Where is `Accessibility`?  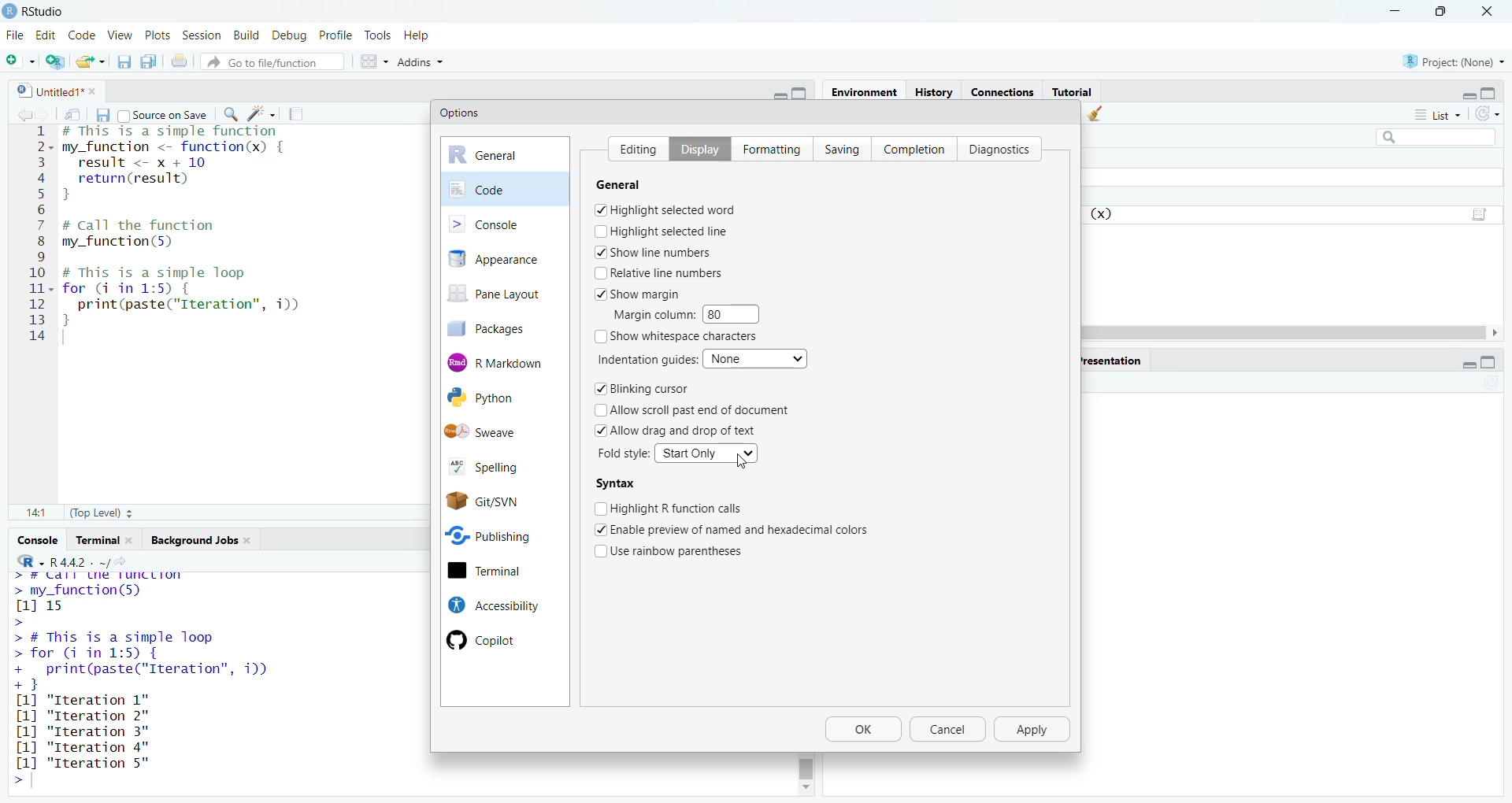 Accessibility is located at coordinates (491, 605).